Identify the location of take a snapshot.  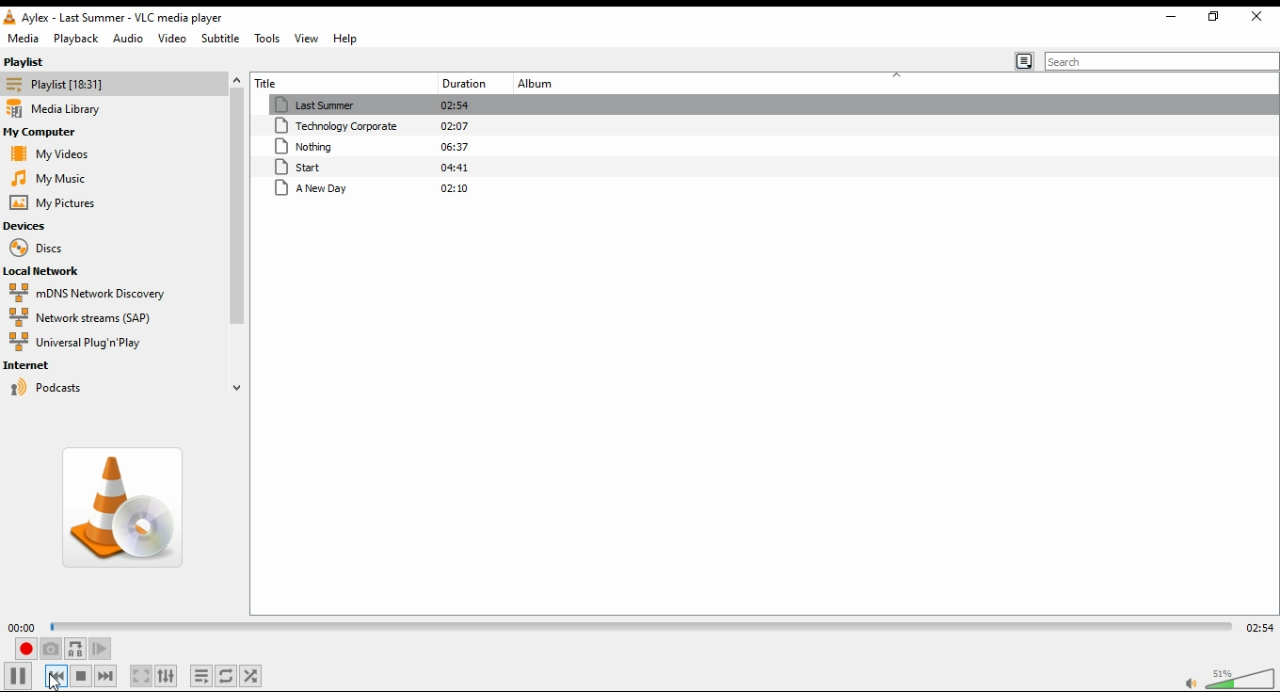
(50, 649).